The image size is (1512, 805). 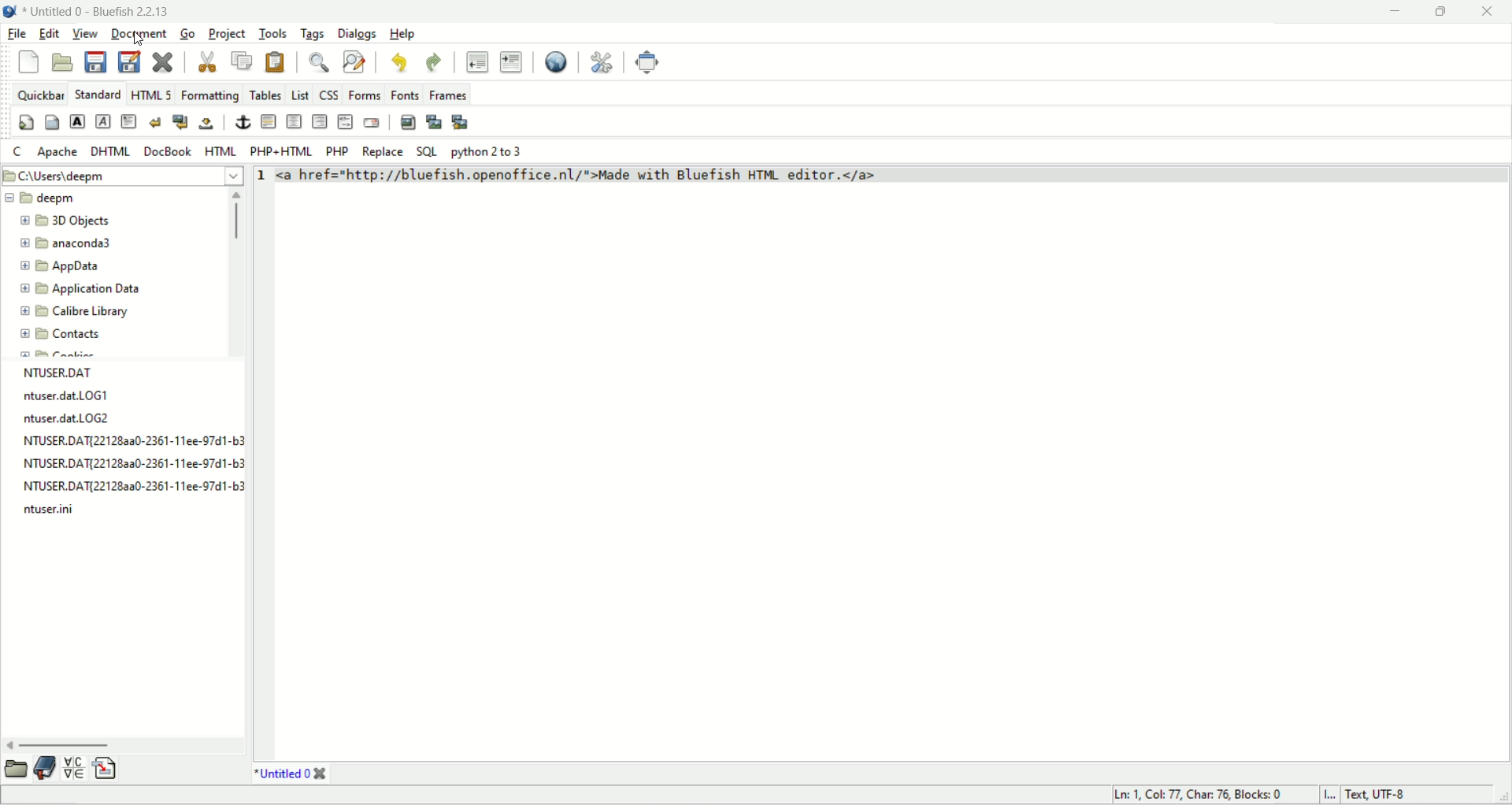 I want to click on standard, so click(x=97, y=95).